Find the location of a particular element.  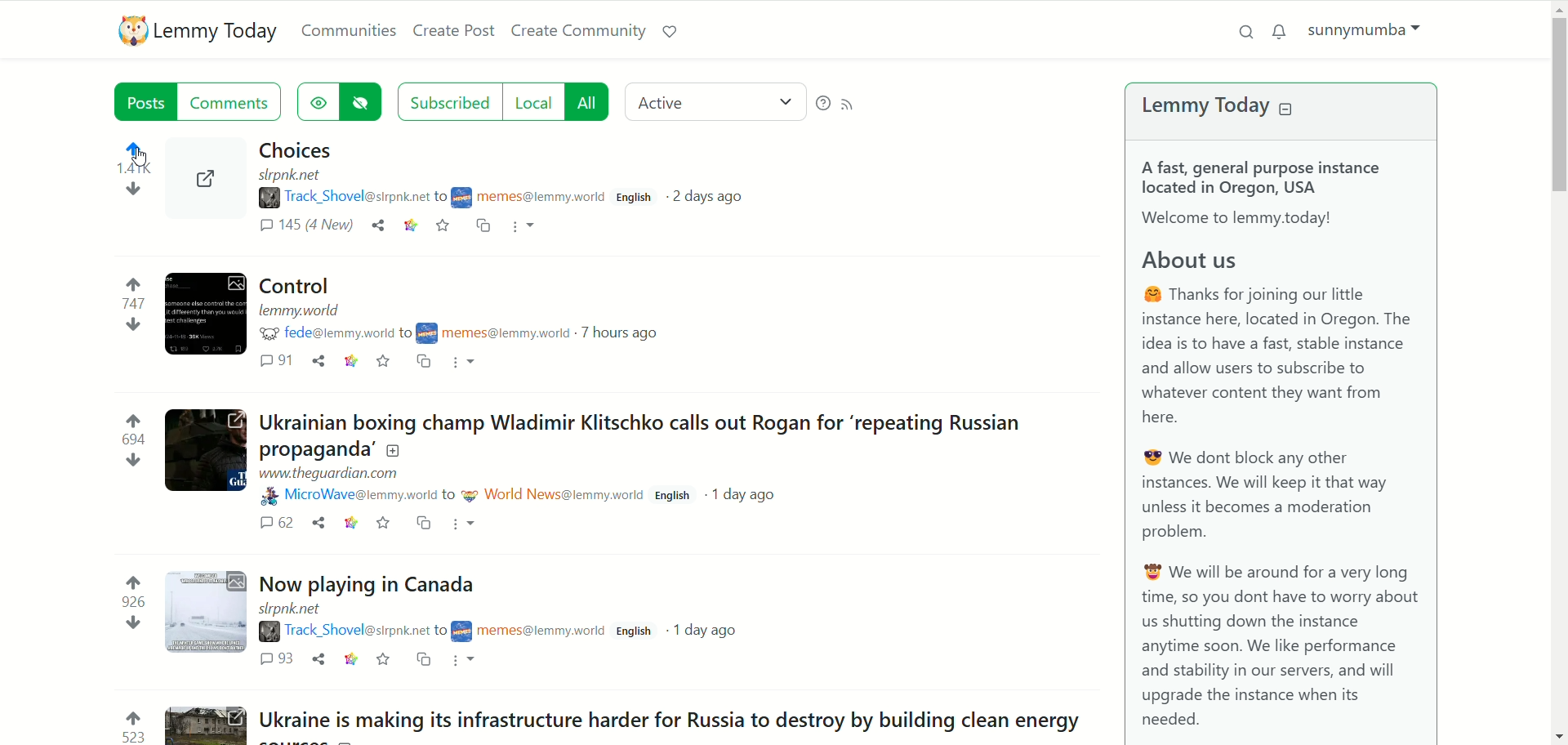

URL is located at coordinates (337, 473).